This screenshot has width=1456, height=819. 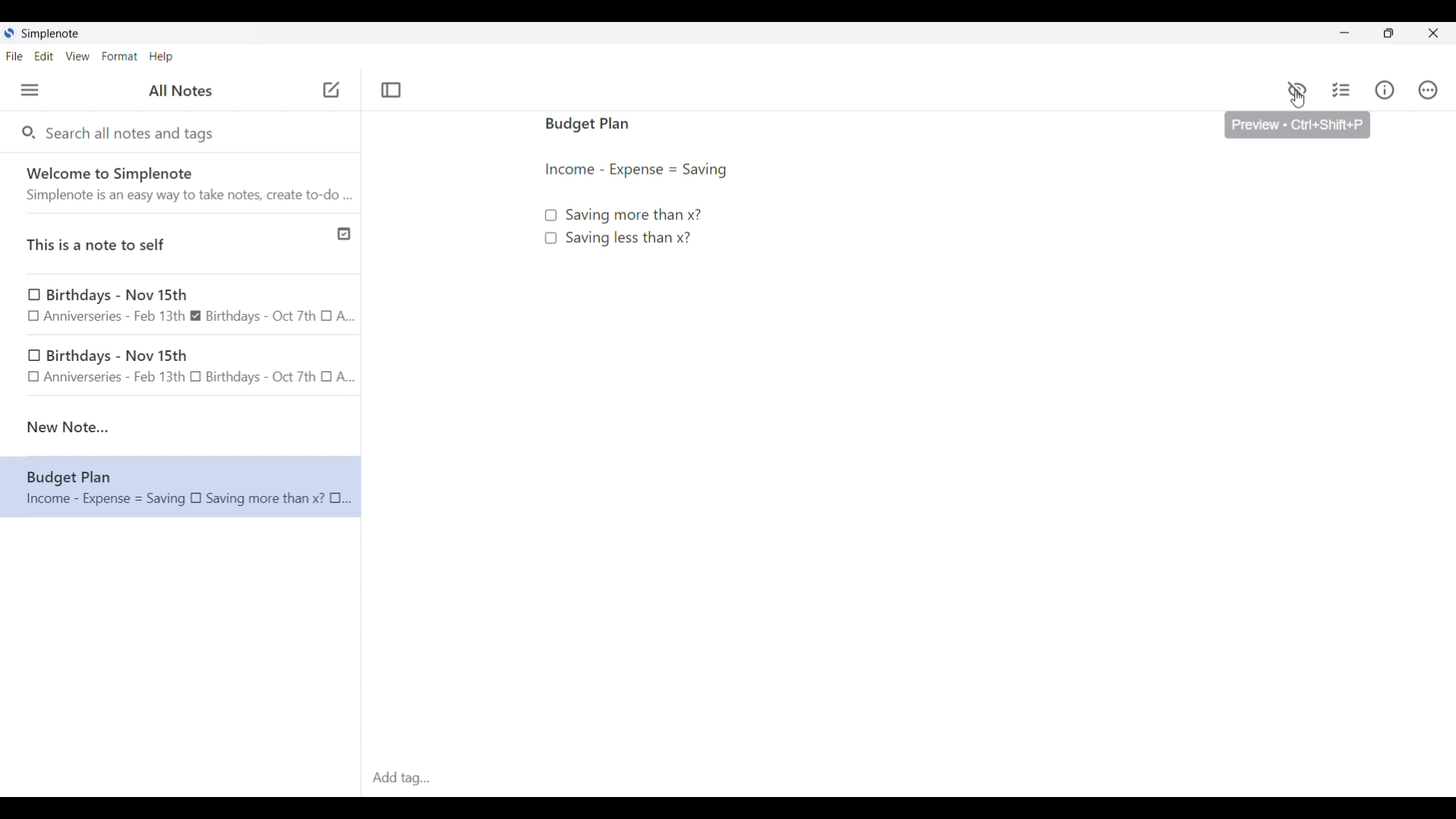 What do you see at coordinates (1342, 90) in the screenshot?
I see `Insert checklist` at bounding box center [1342, 90].